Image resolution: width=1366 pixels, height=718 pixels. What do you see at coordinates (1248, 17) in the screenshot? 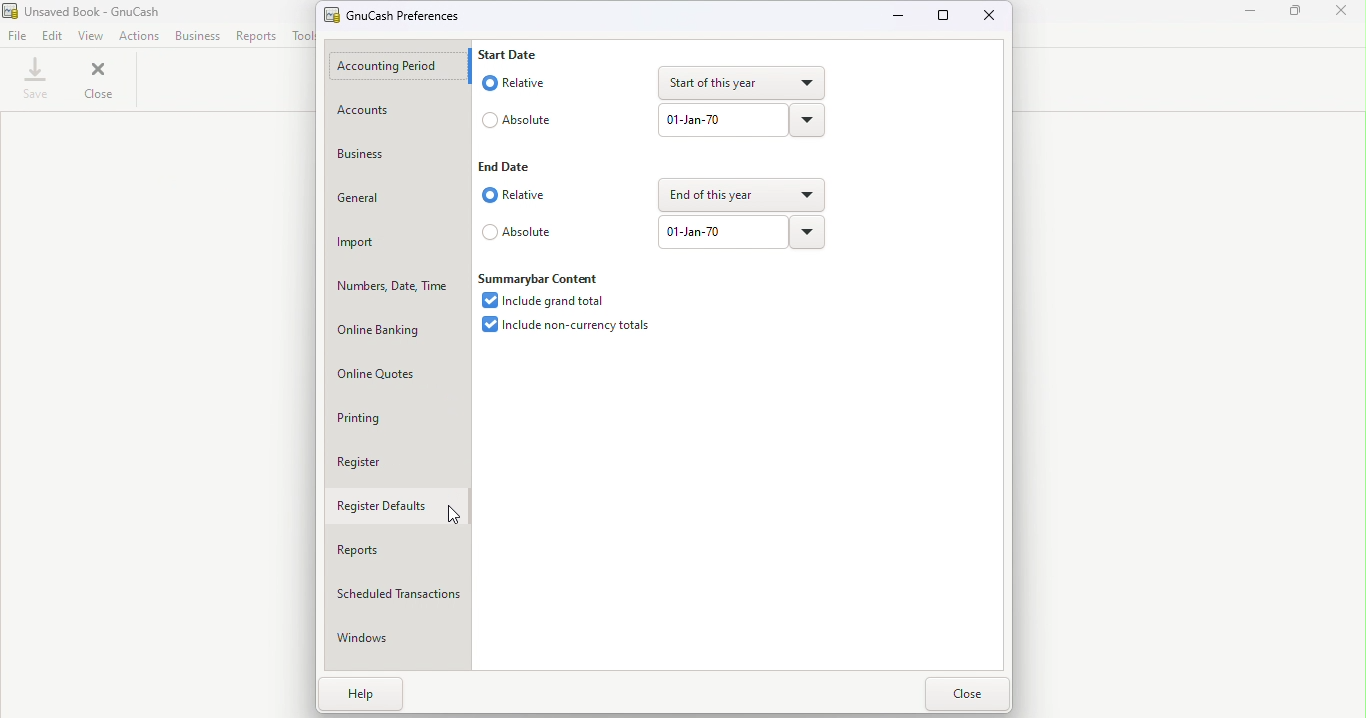
I see `Minimize` at bounding box center [1248, 17].